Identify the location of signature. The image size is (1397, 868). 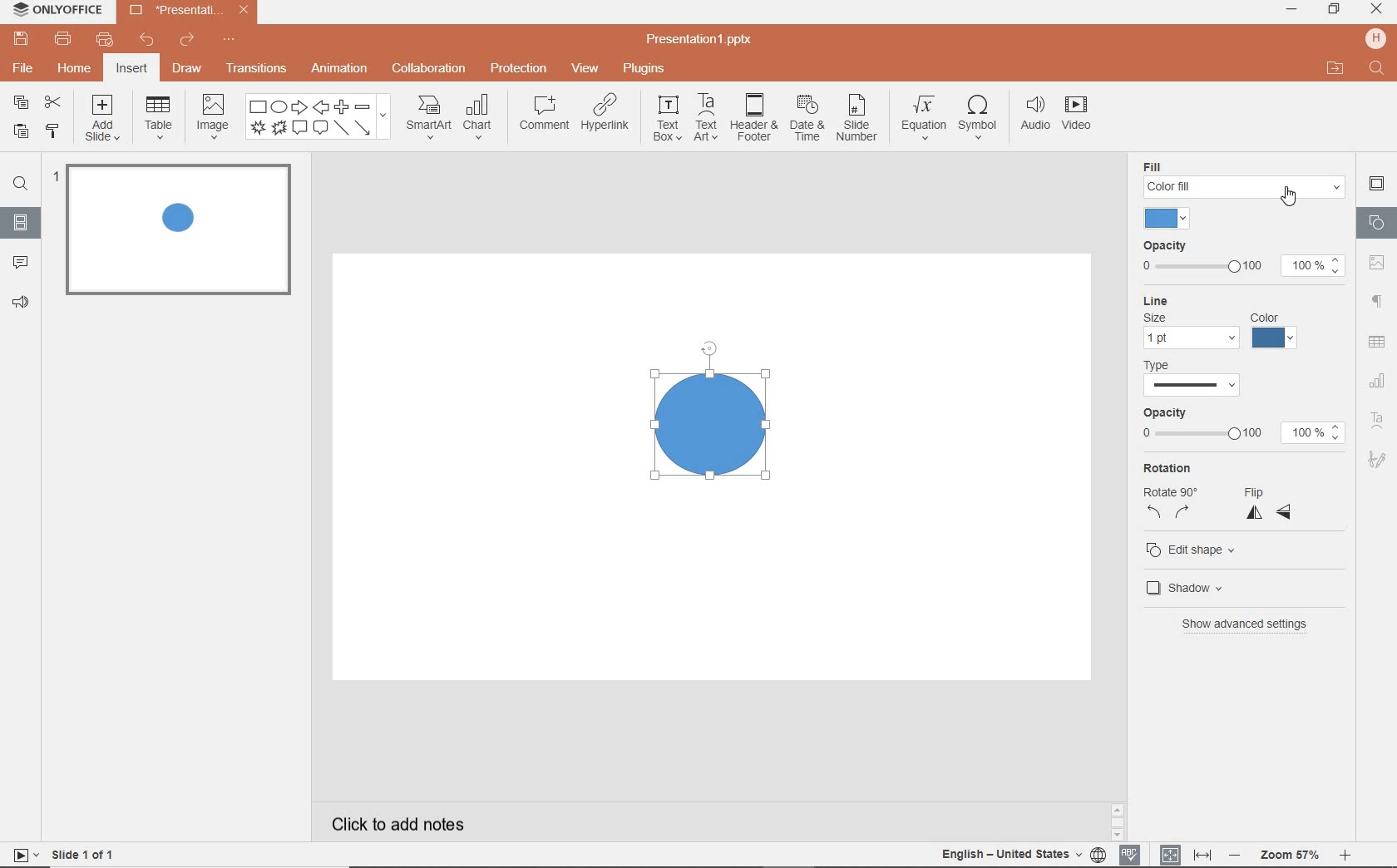
(1376, 458).